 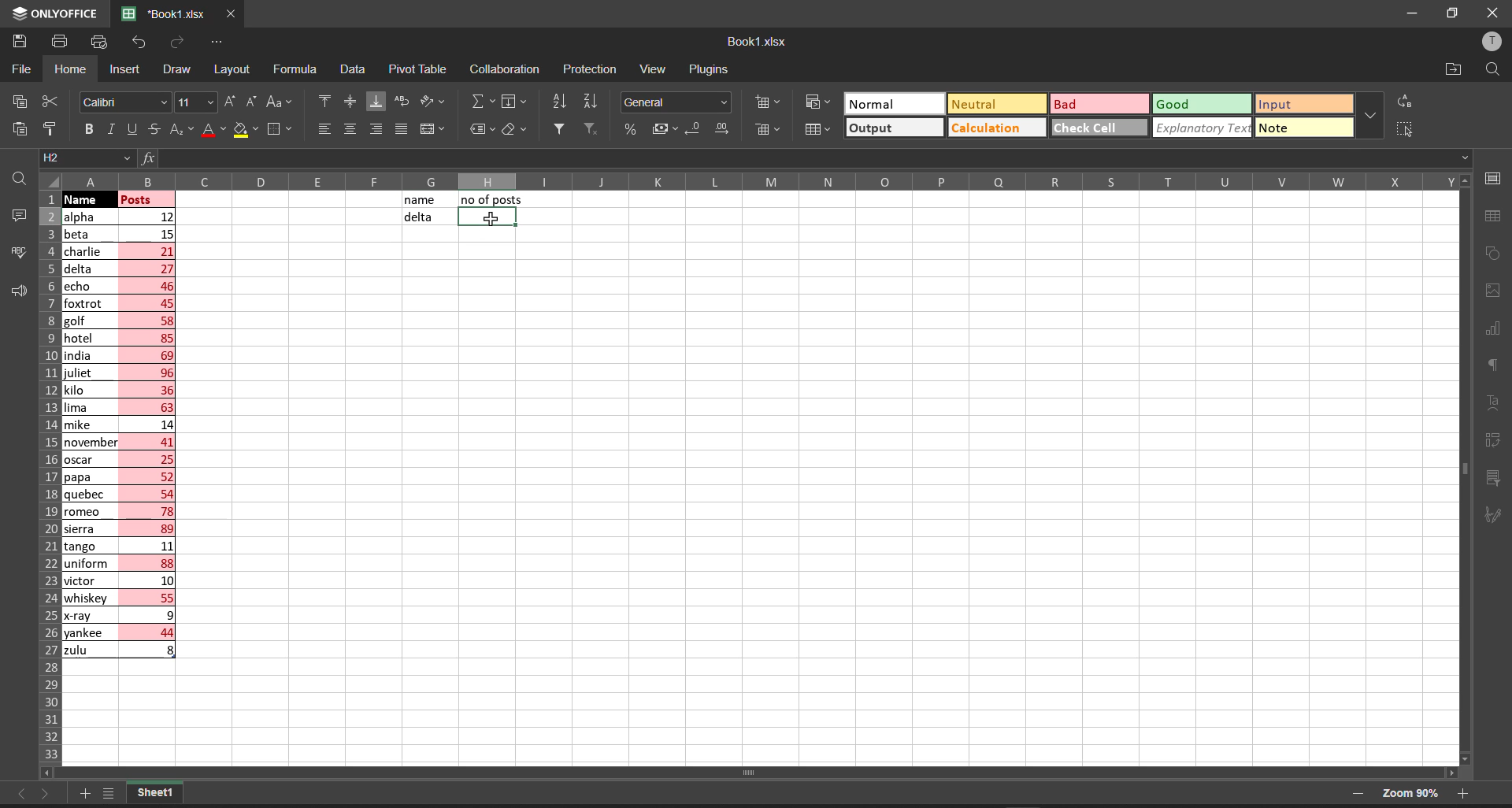 I want to click on check cell, so click(x=1092, y=128).